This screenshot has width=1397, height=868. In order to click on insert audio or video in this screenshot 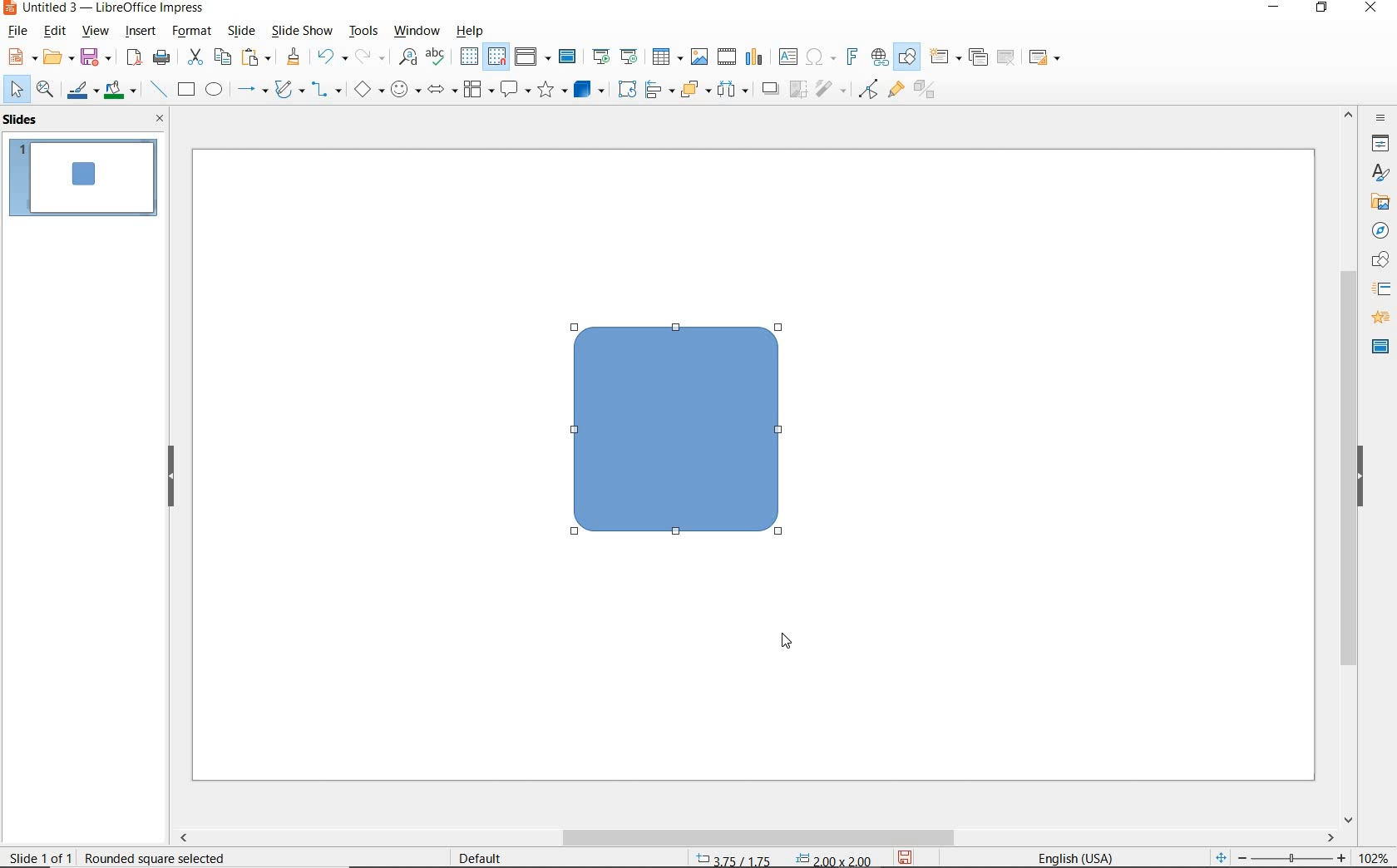, I will do `click(728, 57)`.